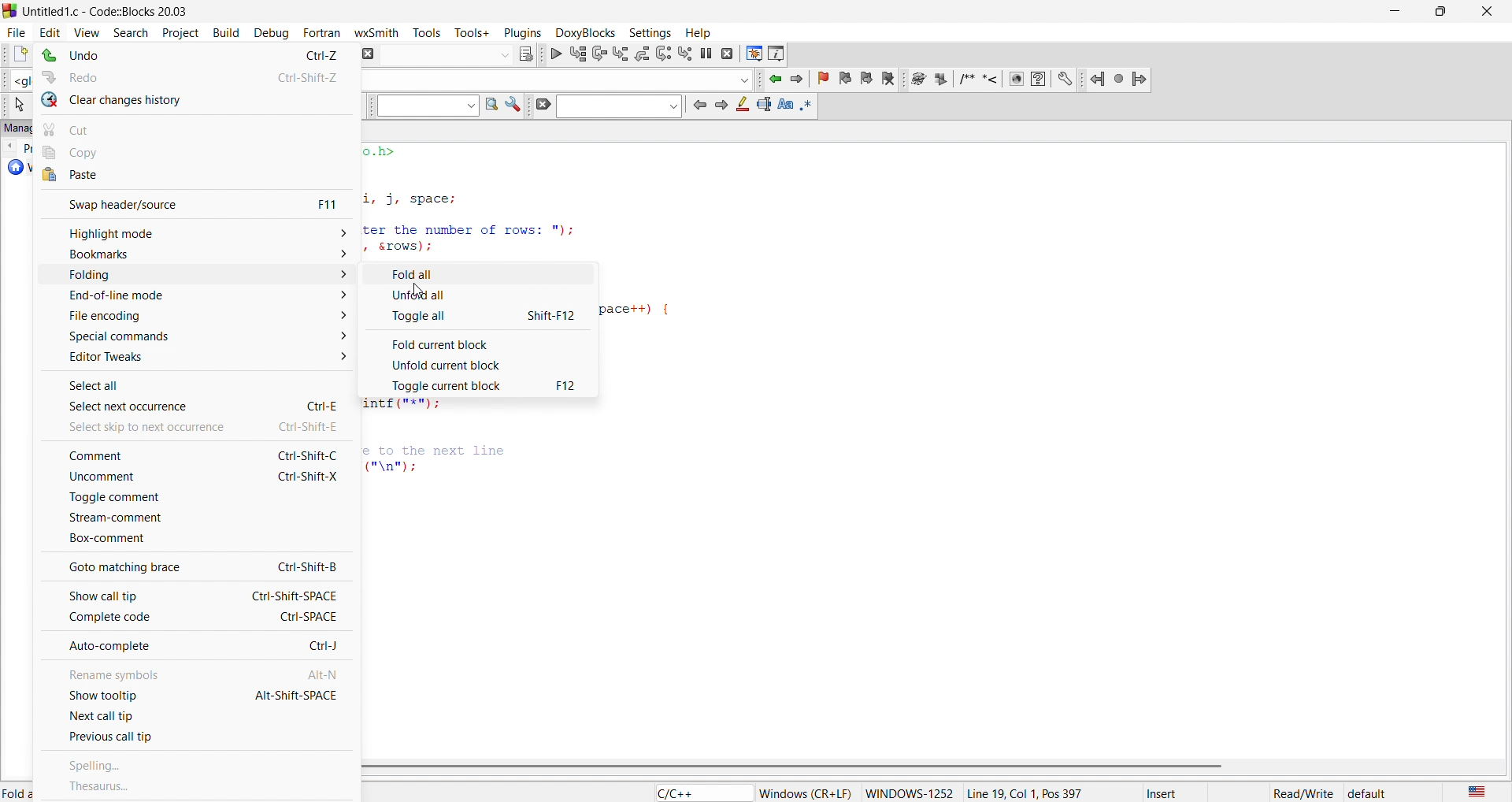  Describe the element at coordinates (191, 593) in the screenshot. I see `show call tip` at that location.